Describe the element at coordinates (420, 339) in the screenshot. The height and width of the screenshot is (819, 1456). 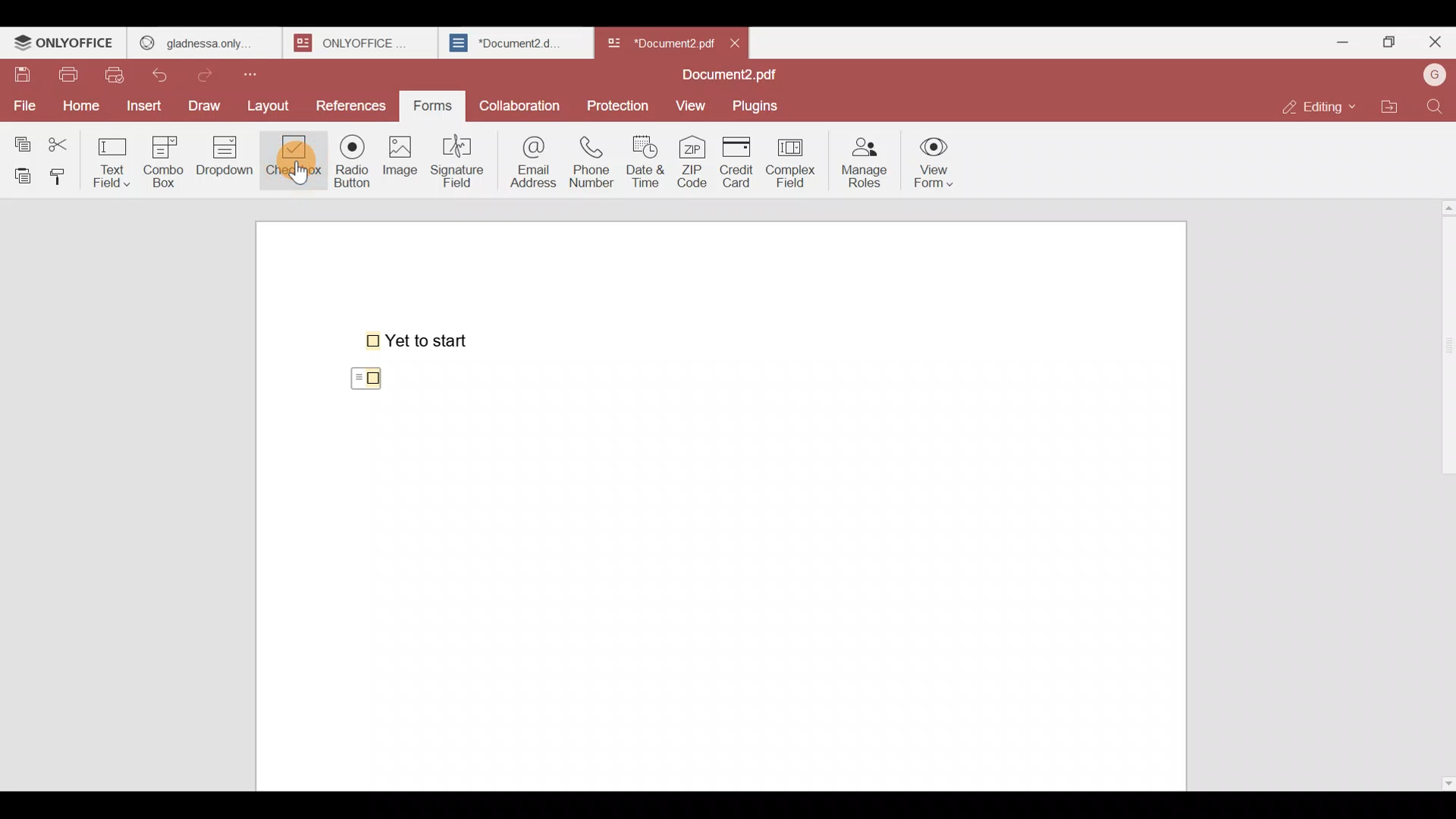
I see `Yet to start` at that location.